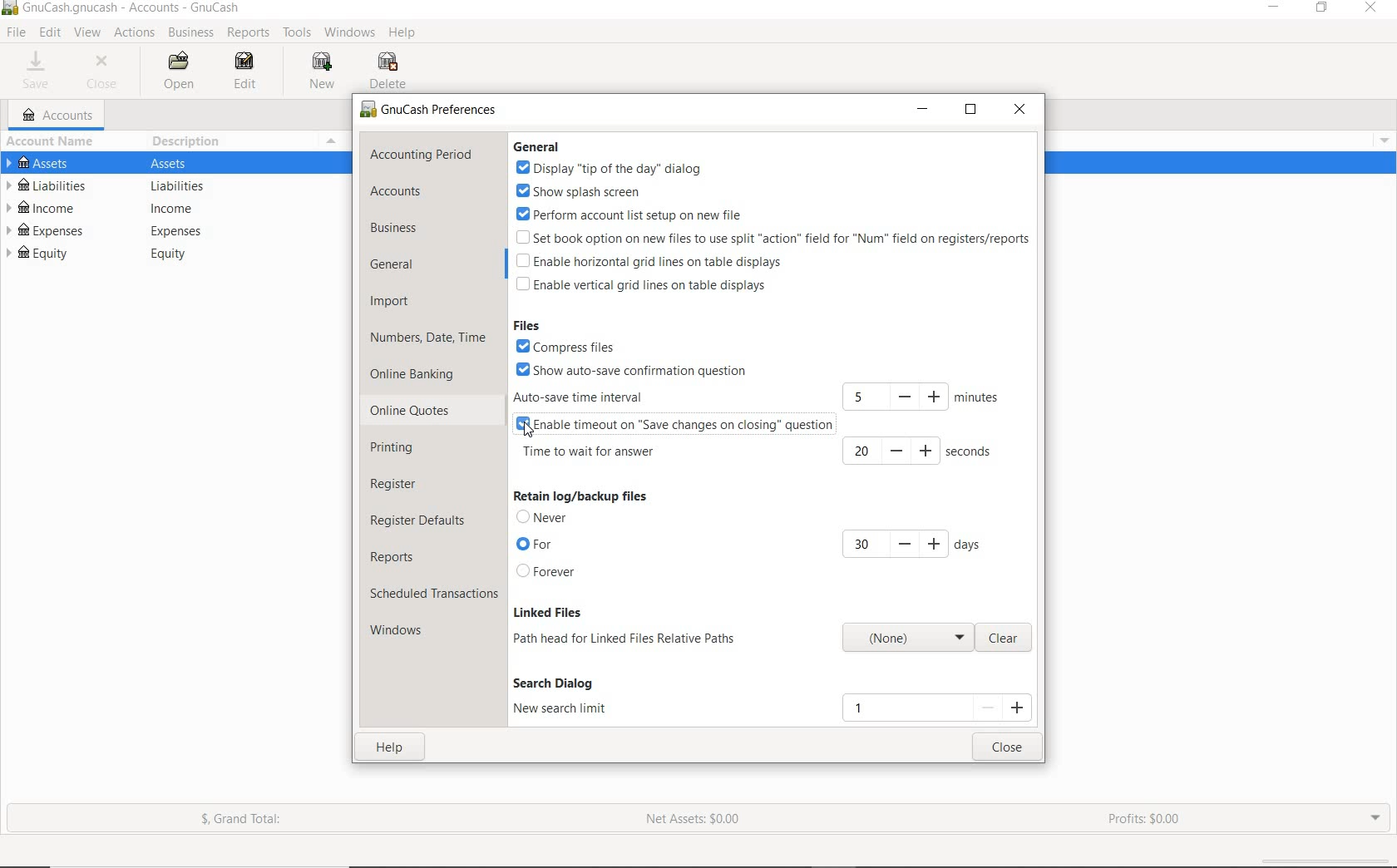 This screenshot has width=1397, height=868. Describe the element at coordinates (388, 71) in the screenshot. I see `DELETE` at that location.